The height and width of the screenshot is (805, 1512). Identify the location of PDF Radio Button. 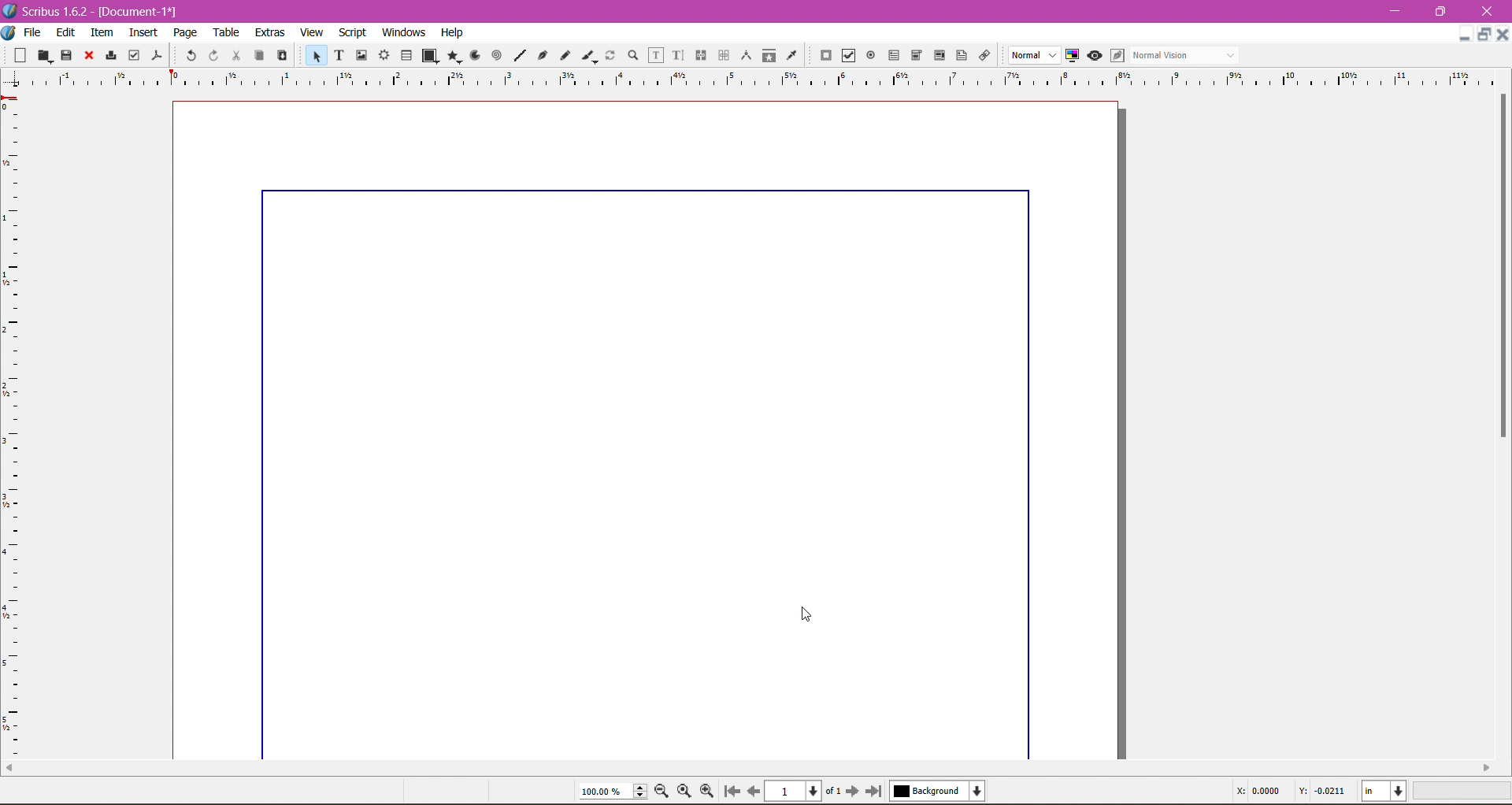
(871, 56).